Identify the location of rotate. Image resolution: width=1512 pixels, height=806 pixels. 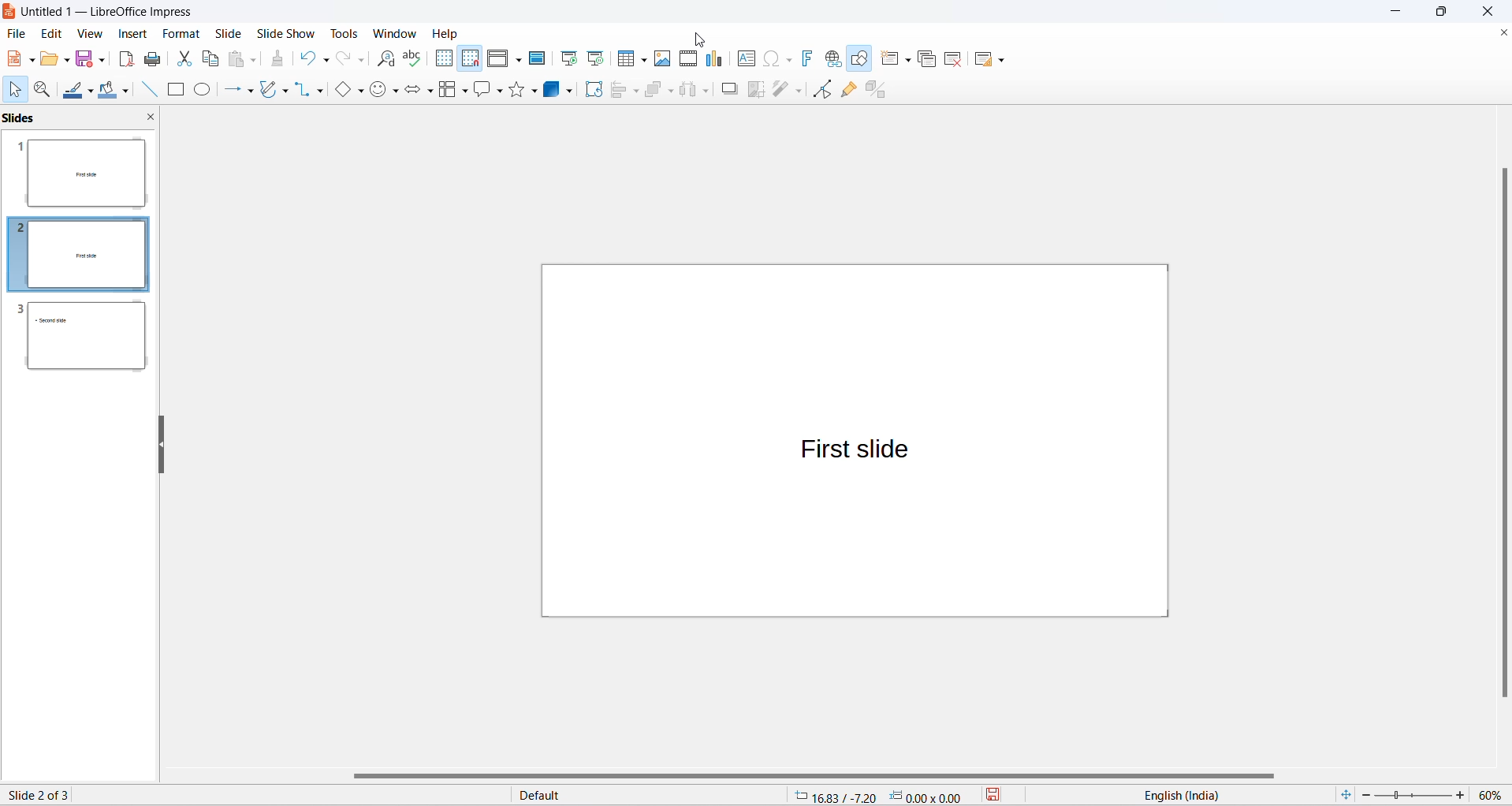
(595, 91).